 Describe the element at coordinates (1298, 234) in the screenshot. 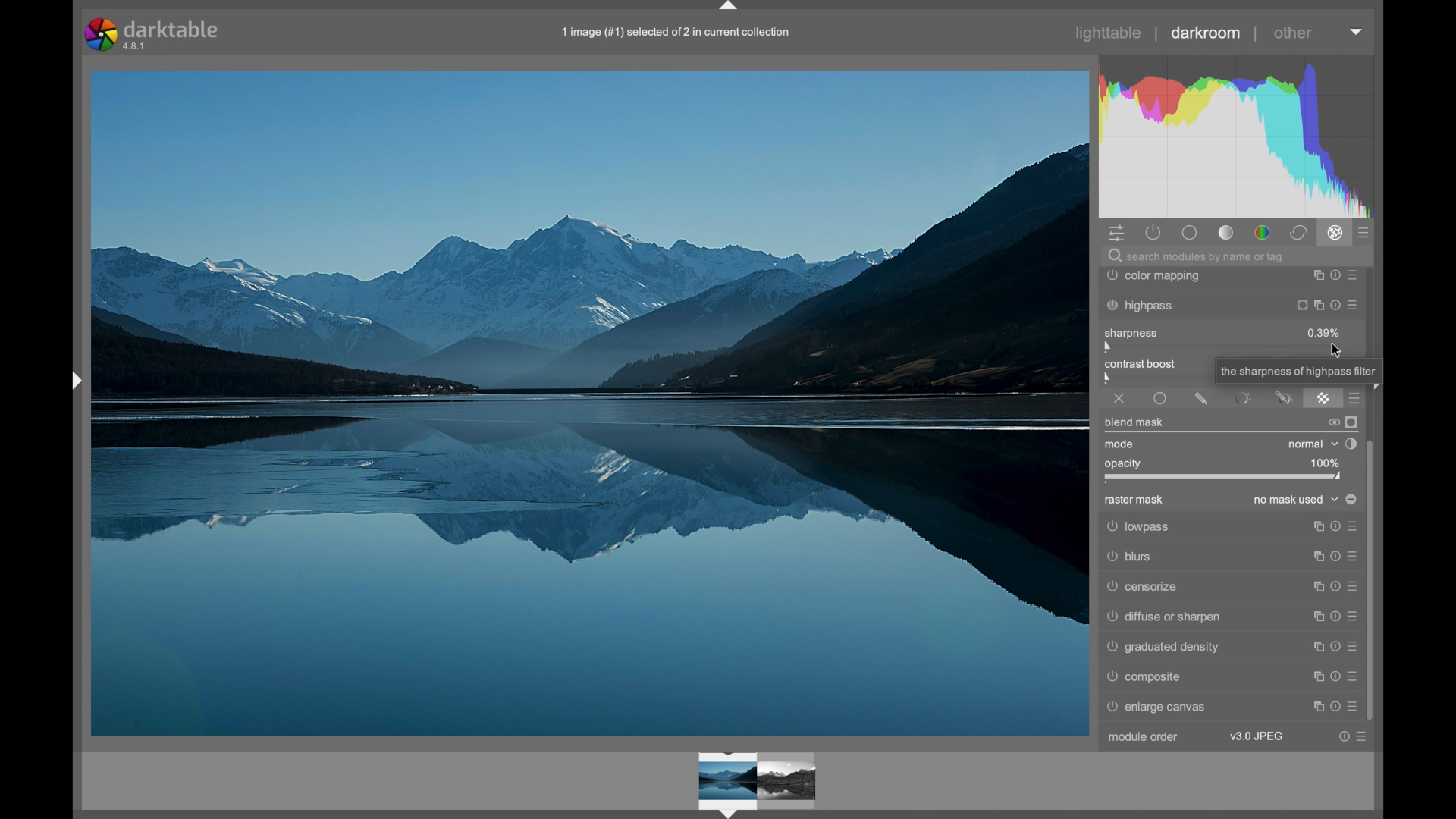

I see `correct` at that location.